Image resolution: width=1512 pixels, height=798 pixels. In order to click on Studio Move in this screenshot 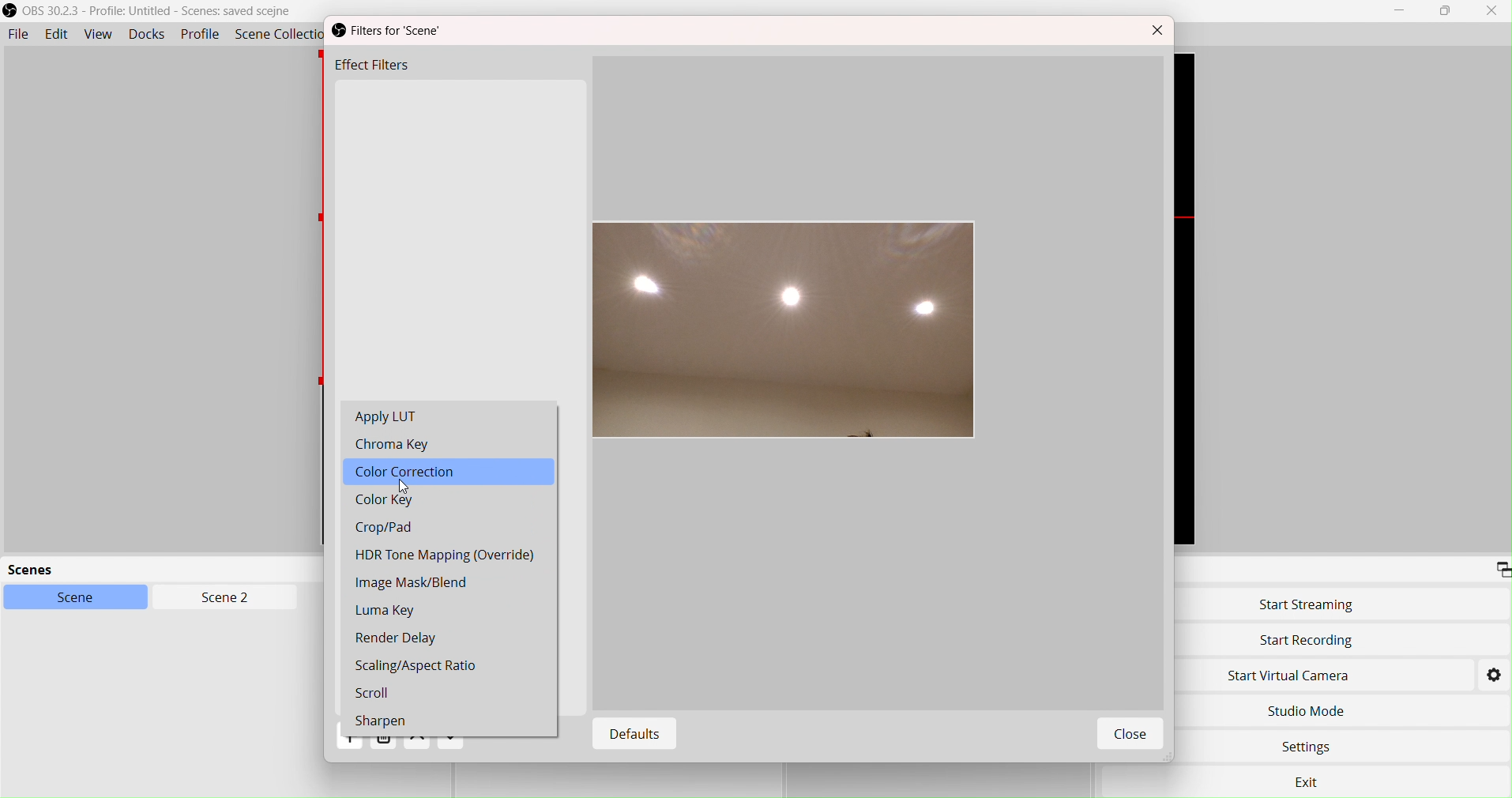, I will do `click(1307, 708)`.